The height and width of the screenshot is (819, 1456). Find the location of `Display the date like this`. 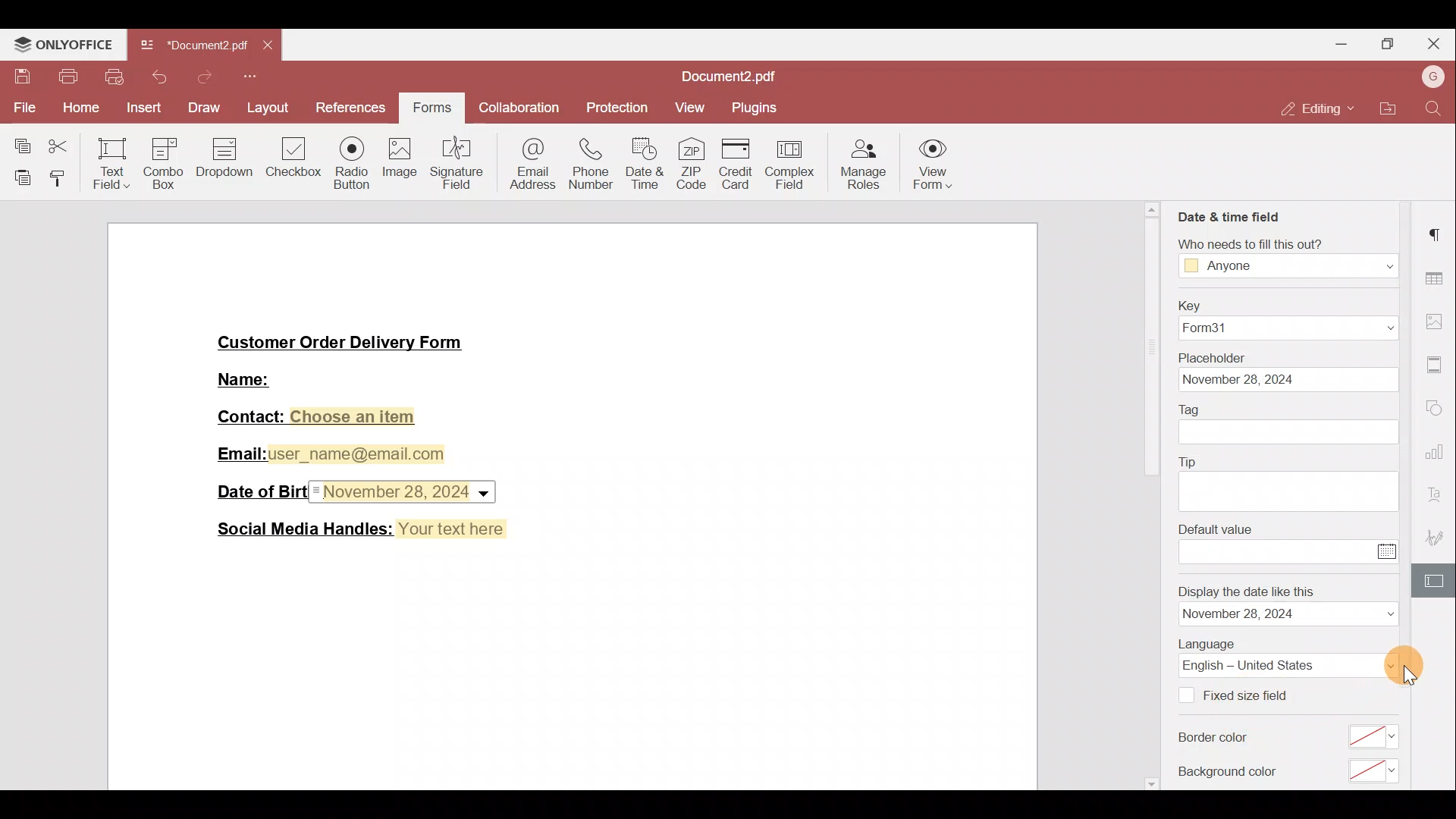

Display the date like this is located at coordinates (1248, 590).